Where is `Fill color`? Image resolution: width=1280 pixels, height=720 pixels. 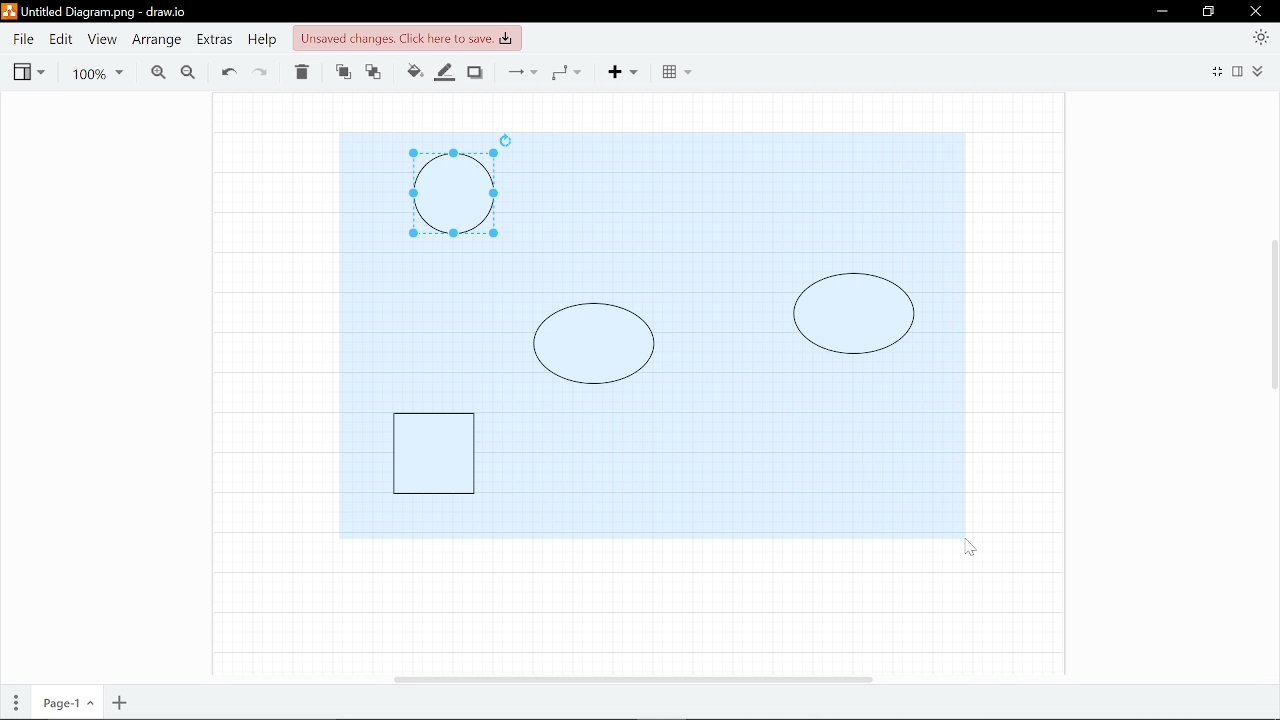
Fill color is located at coordinates (414, 71).